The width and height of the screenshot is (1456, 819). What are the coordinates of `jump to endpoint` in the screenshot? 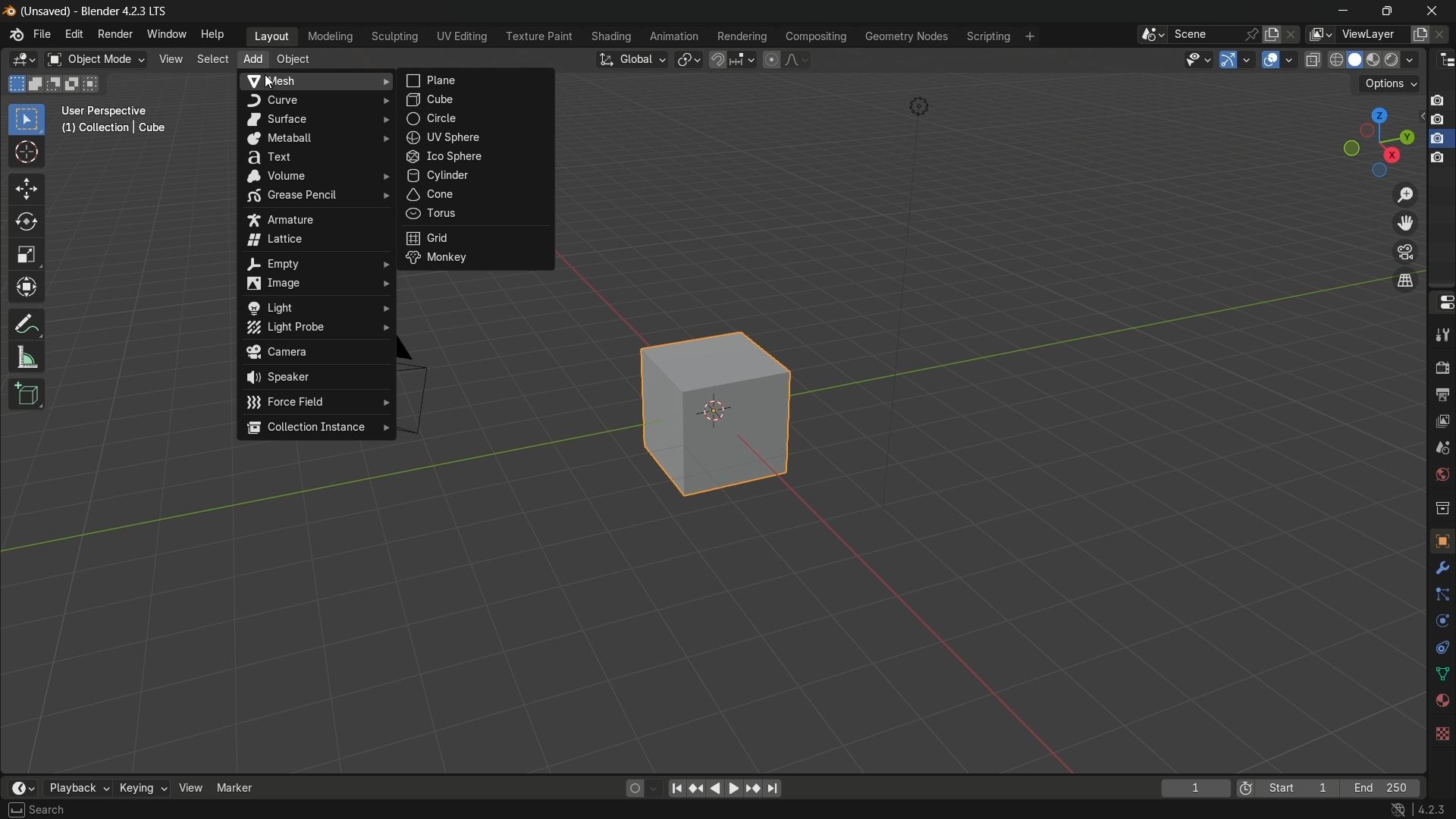 It's located at (674, 789).